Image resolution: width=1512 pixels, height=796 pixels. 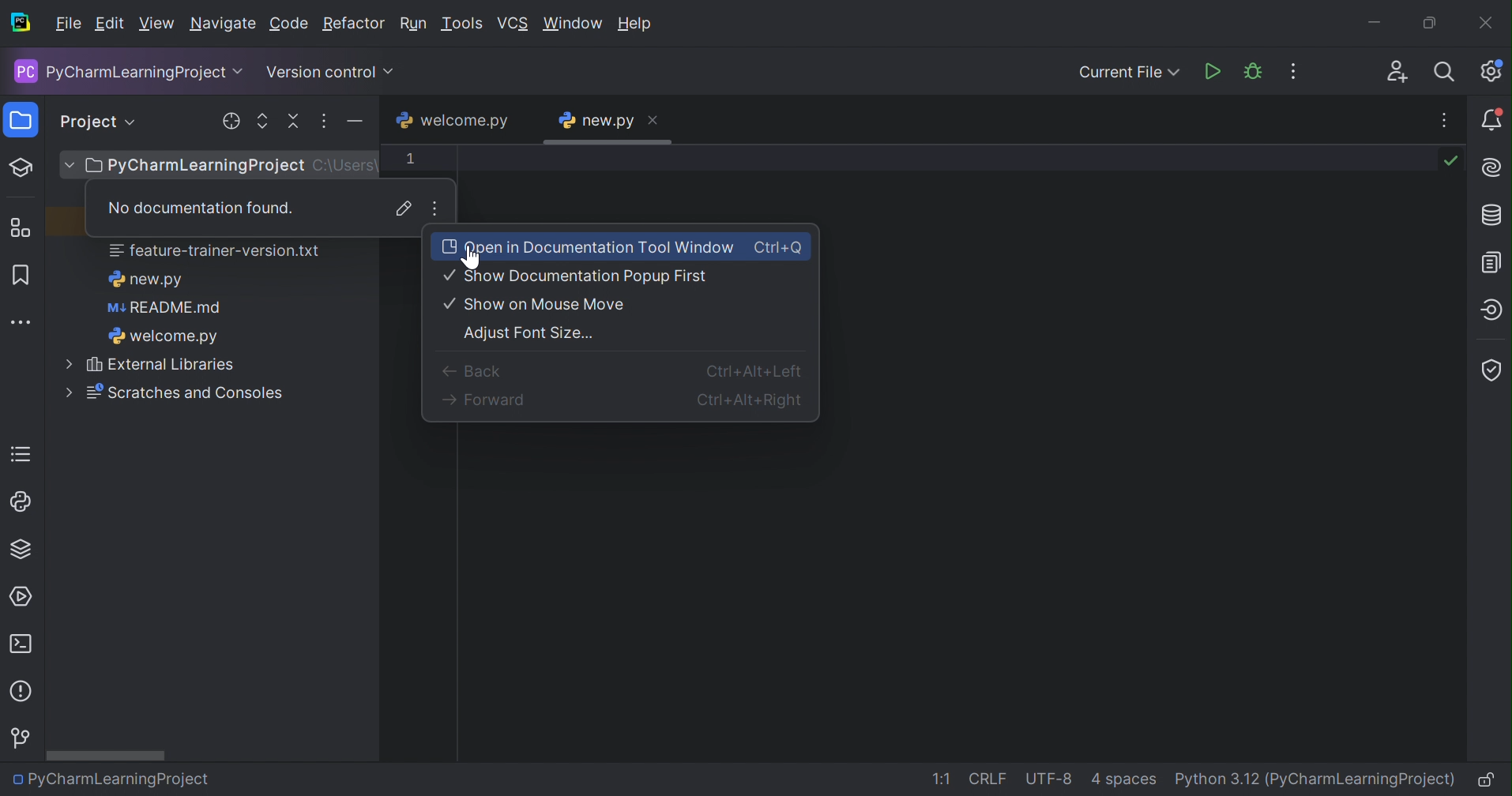 I want to click on Minimize, so click(x=1377, y=22).